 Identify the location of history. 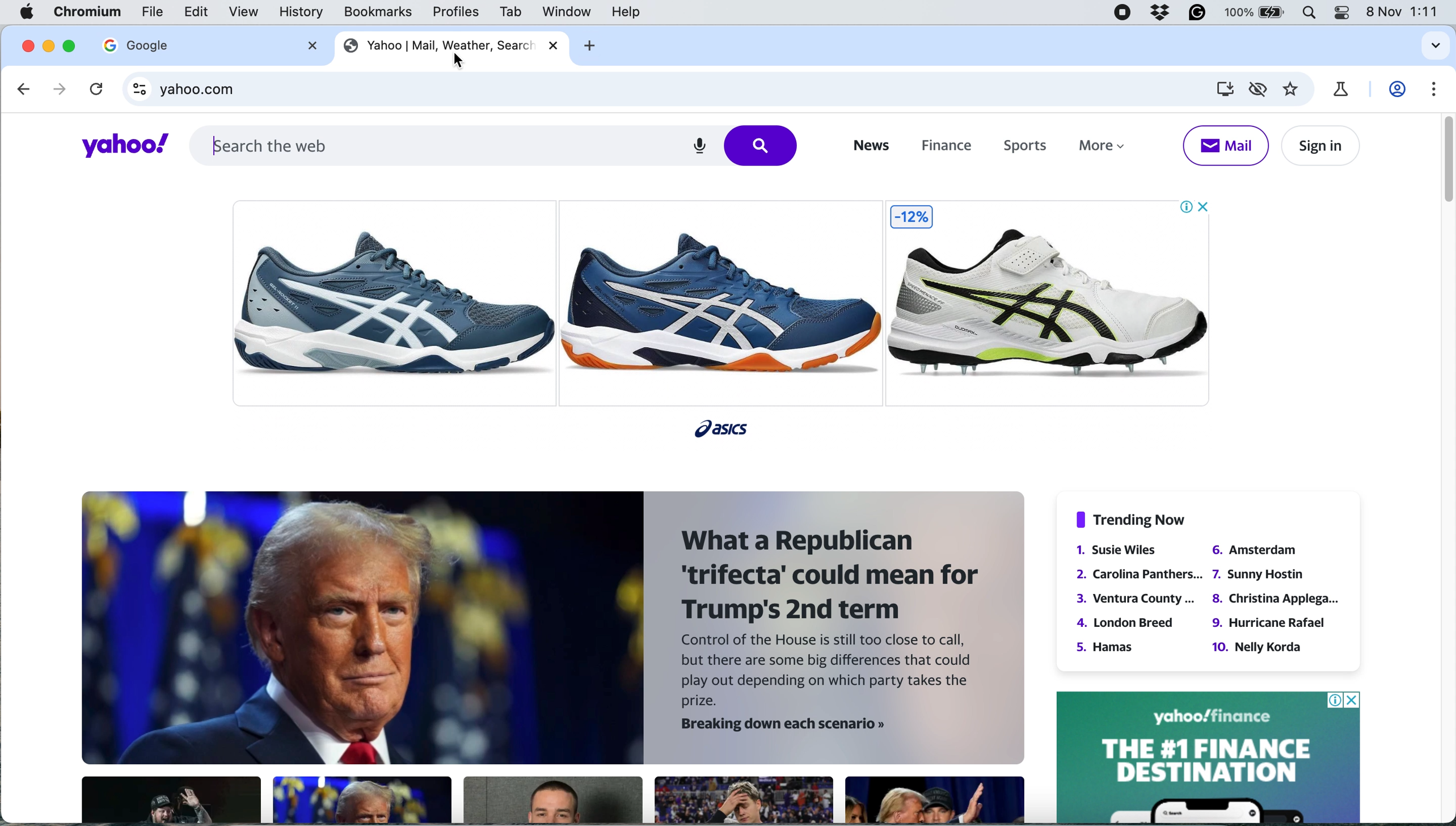
(299, 12).